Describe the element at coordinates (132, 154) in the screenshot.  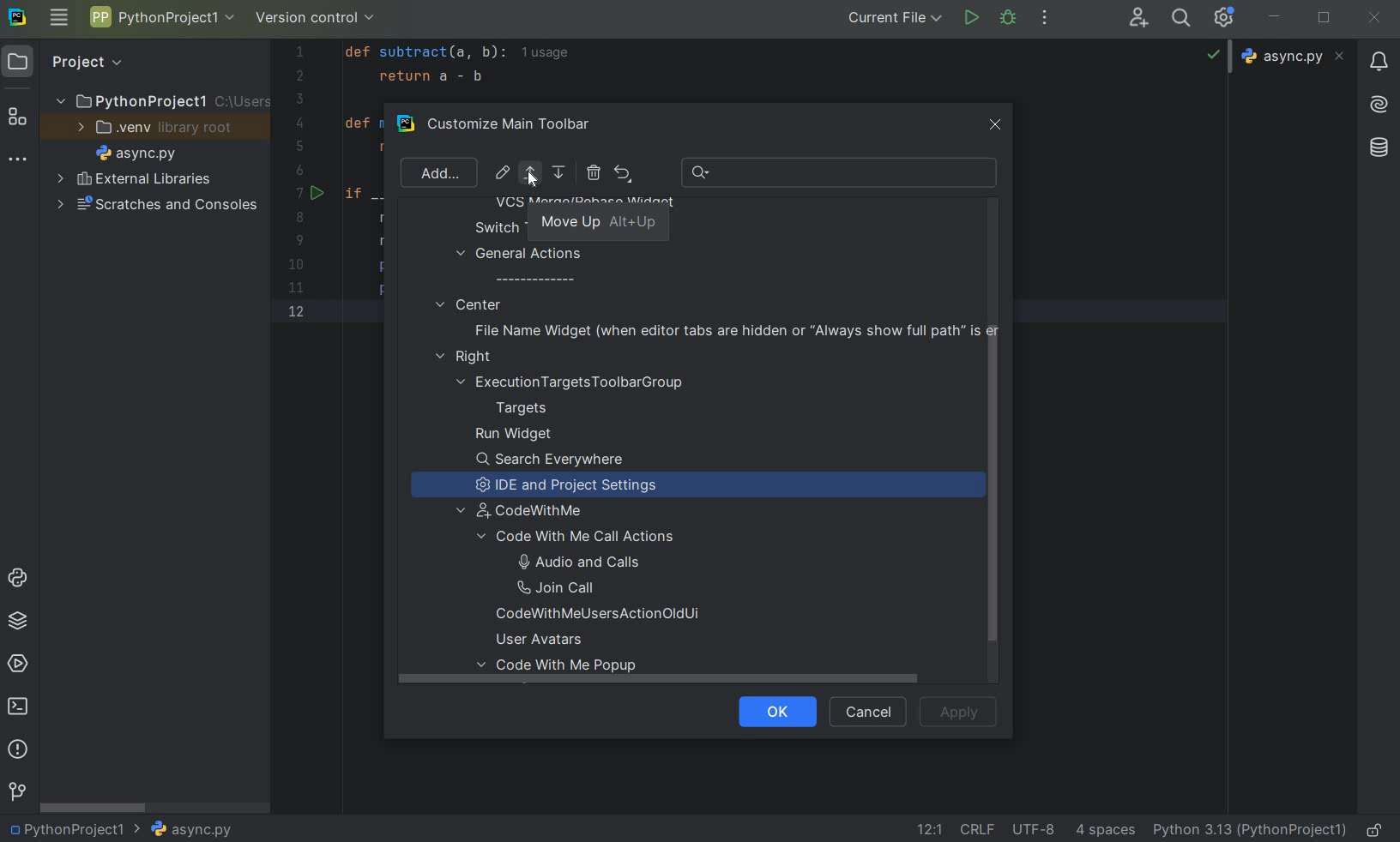
I see `FILE NAME` at that location.